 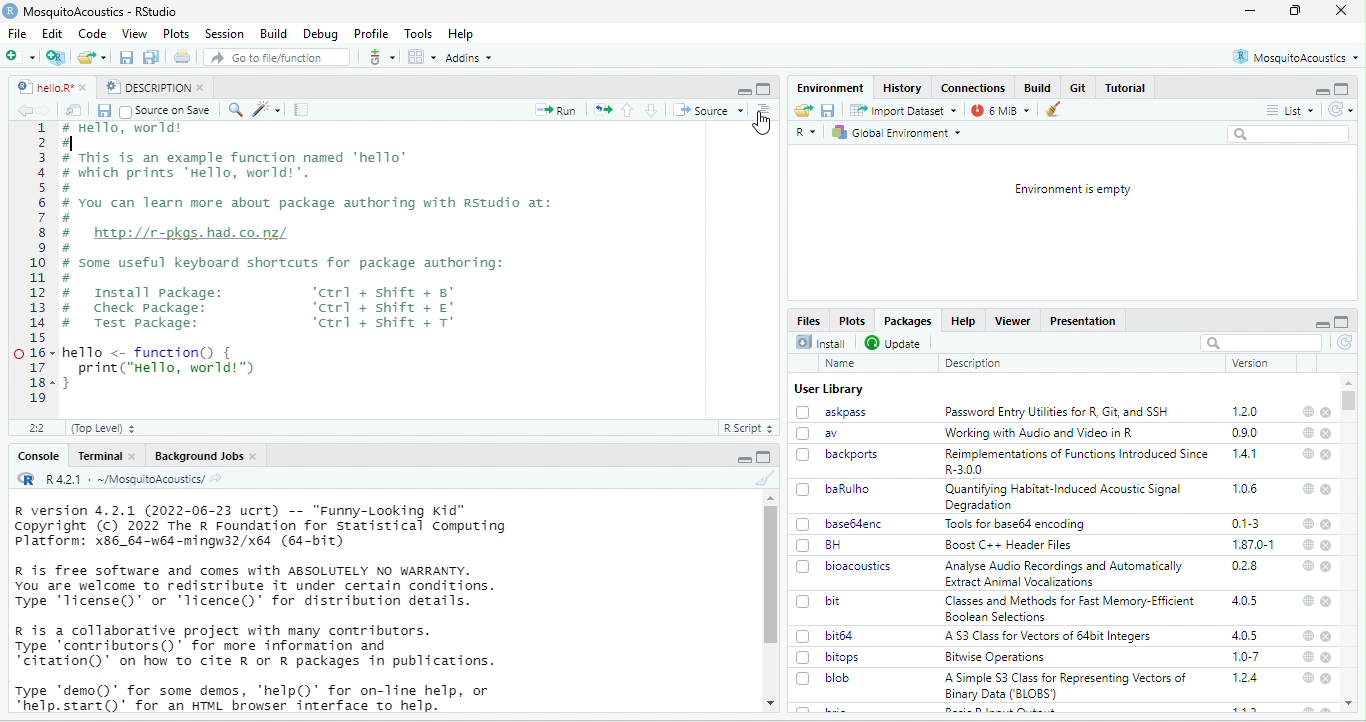 What do you see at coordinates (1247, 432) in the screenshot?
I see `0.9.0` at bounding box center [1247, 432].